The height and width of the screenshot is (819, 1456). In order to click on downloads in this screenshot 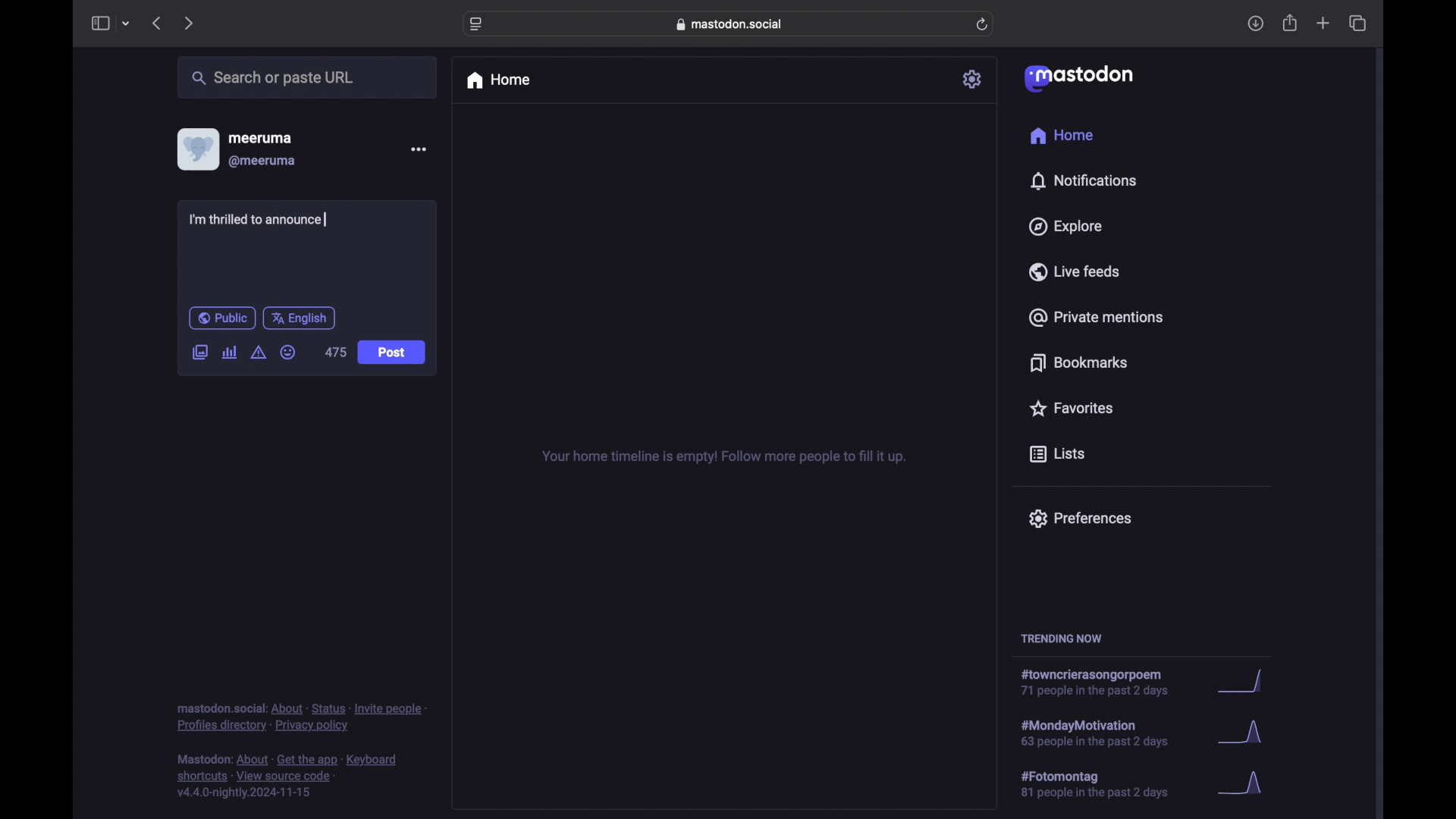, I will do `click(1255, 24)`.